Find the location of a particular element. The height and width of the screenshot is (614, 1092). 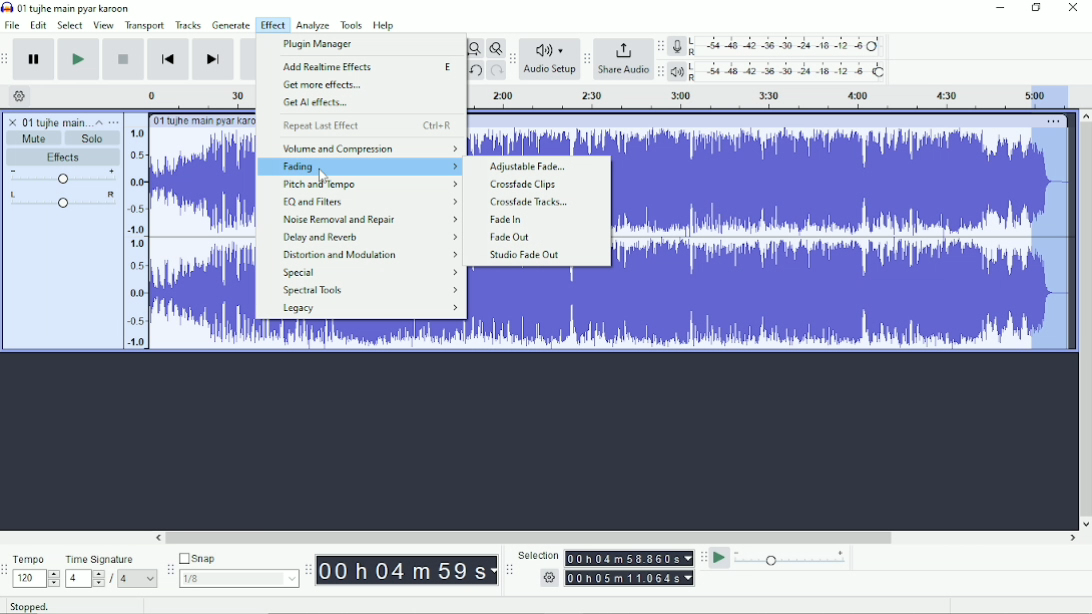

Noise Removal and Repair is located at coordinates (368, 219).